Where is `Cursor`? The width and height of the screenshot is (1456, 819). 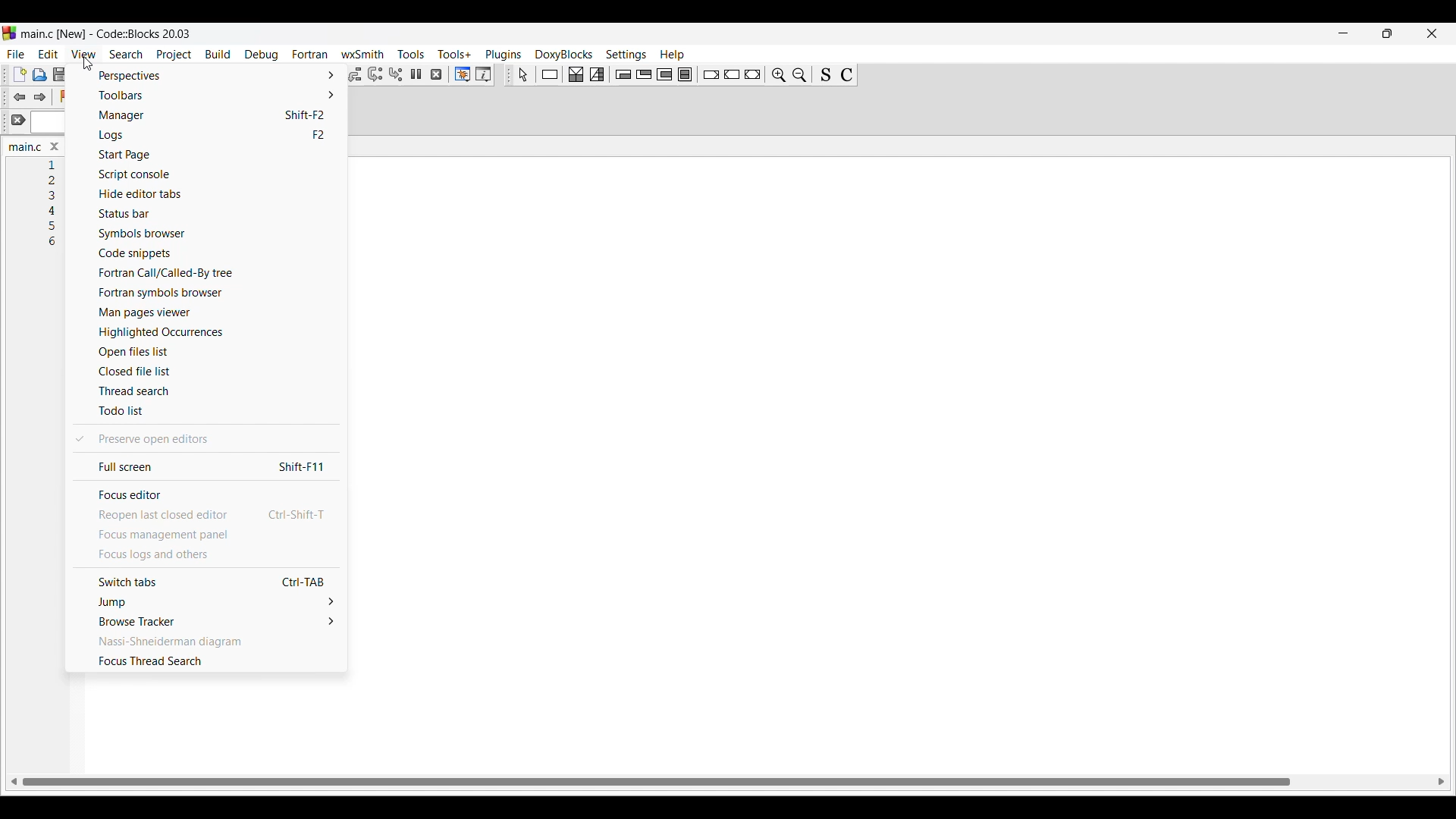
Cursor is located at coordinates (84, 63).